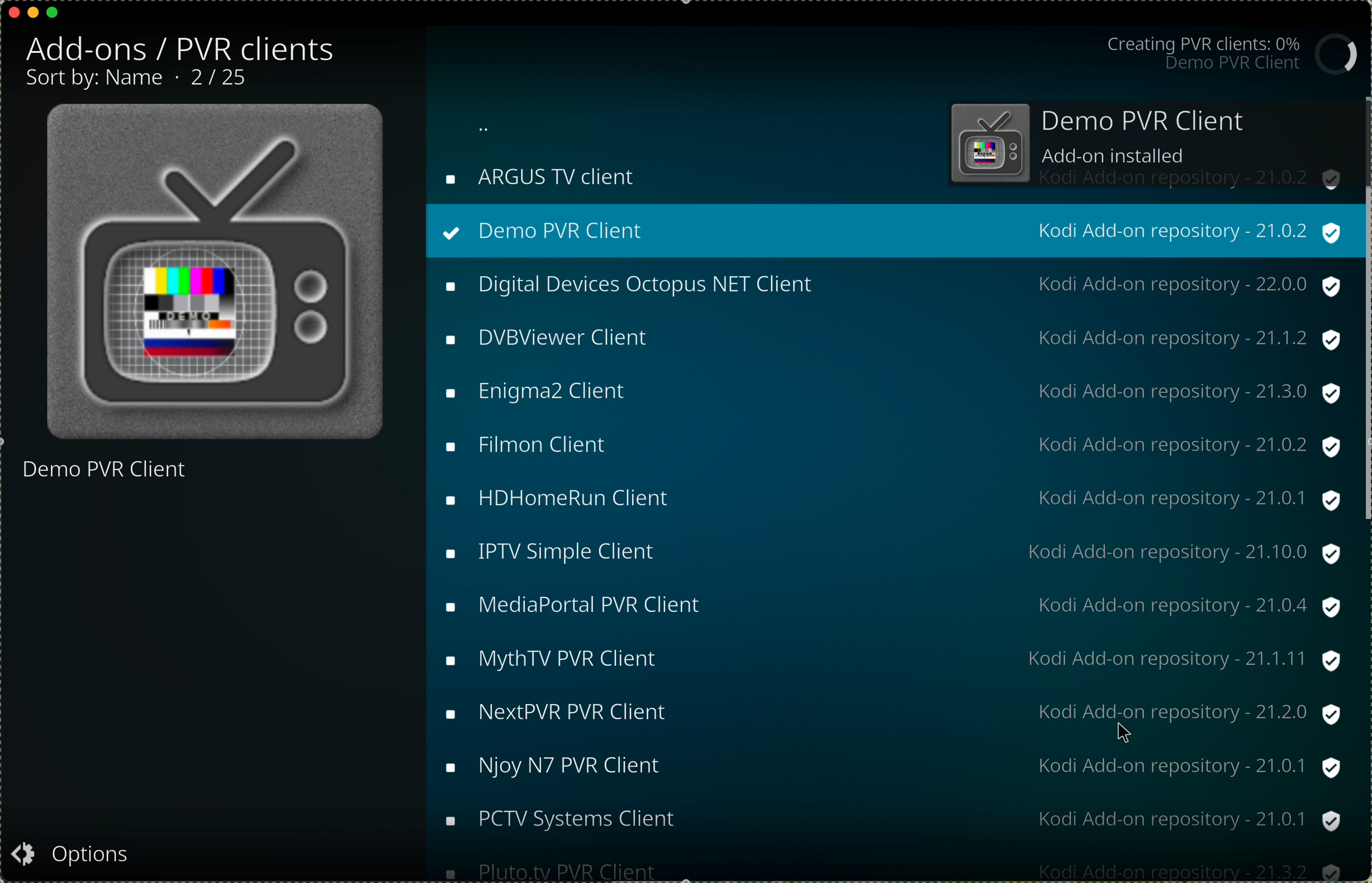 The width and height of the screenshot is (1372, 883). What do you see at coordinates (886, 819) in the screenshot?
I see `` at bounding box center [886, 819].